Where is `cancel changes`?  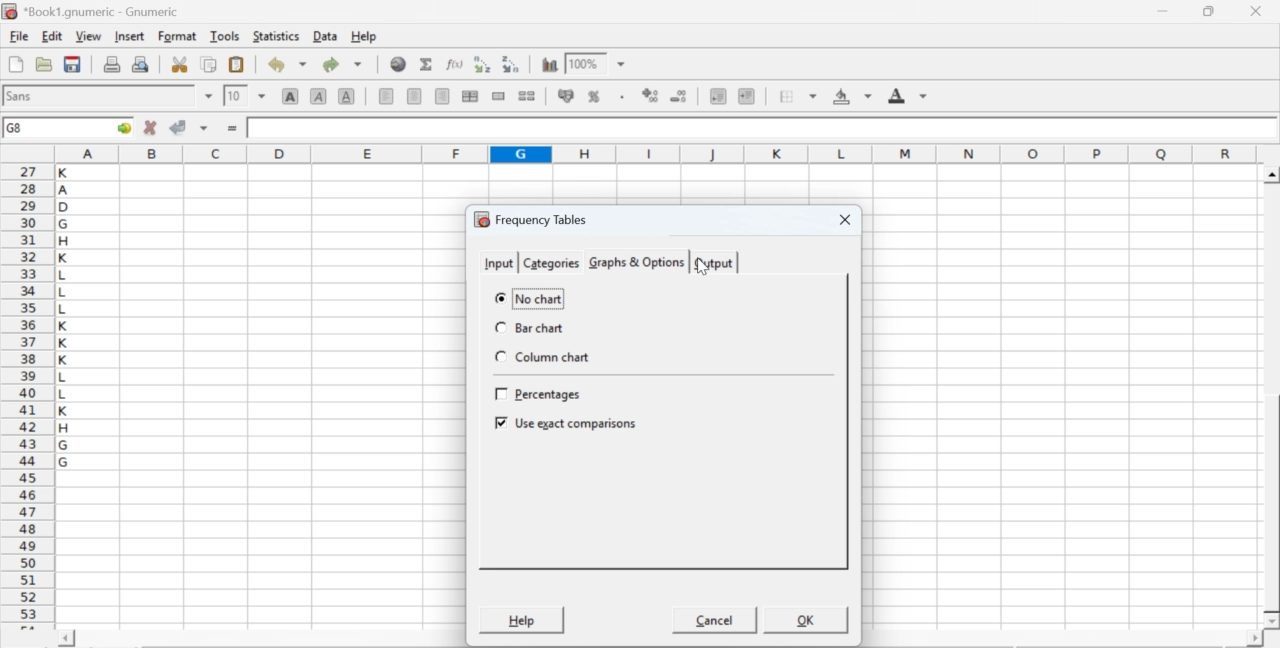
cancel changes is located at coordinates (151, 127).